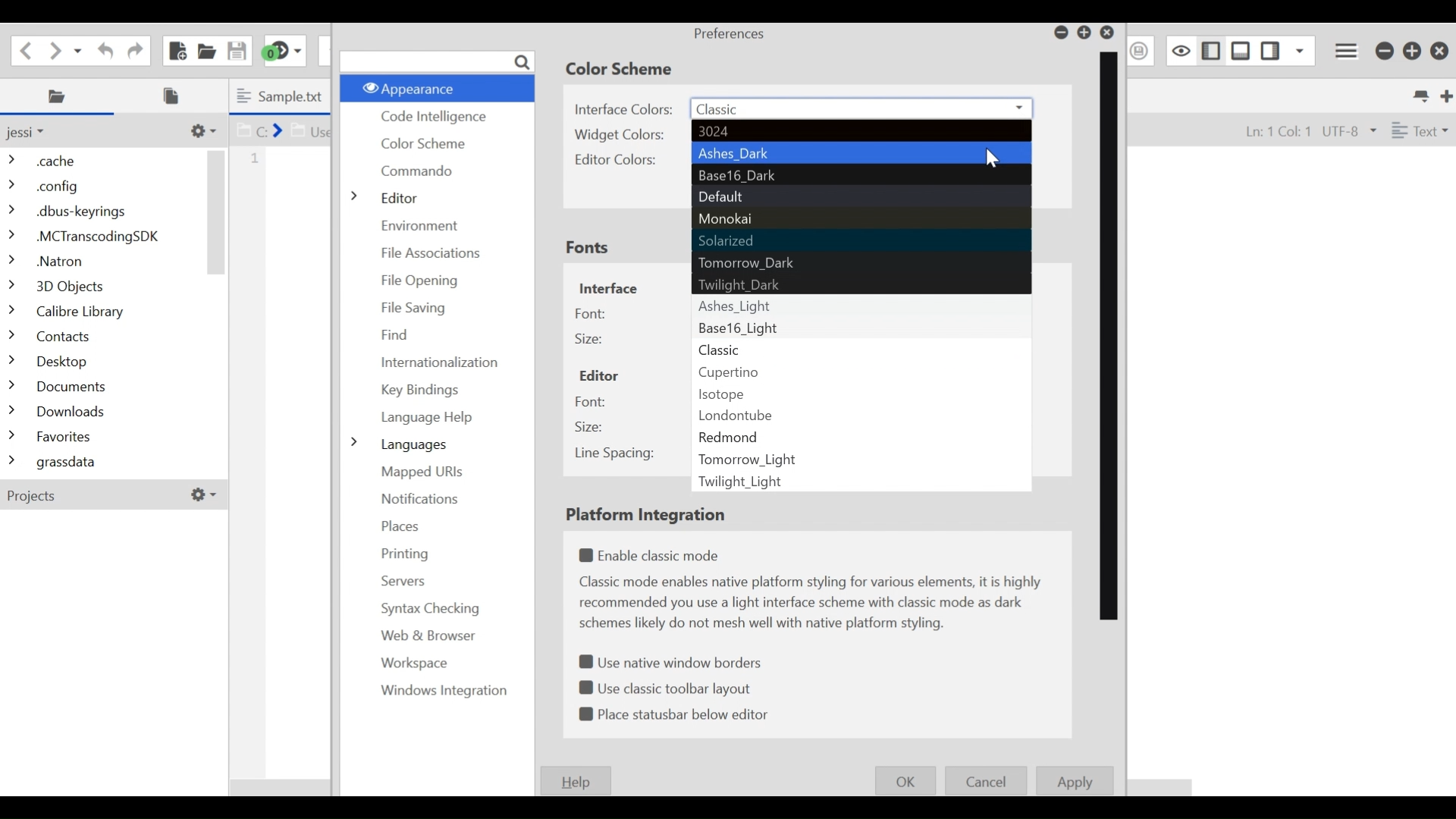  I want to click on File Type dropdown menu, so click(1417, 129).